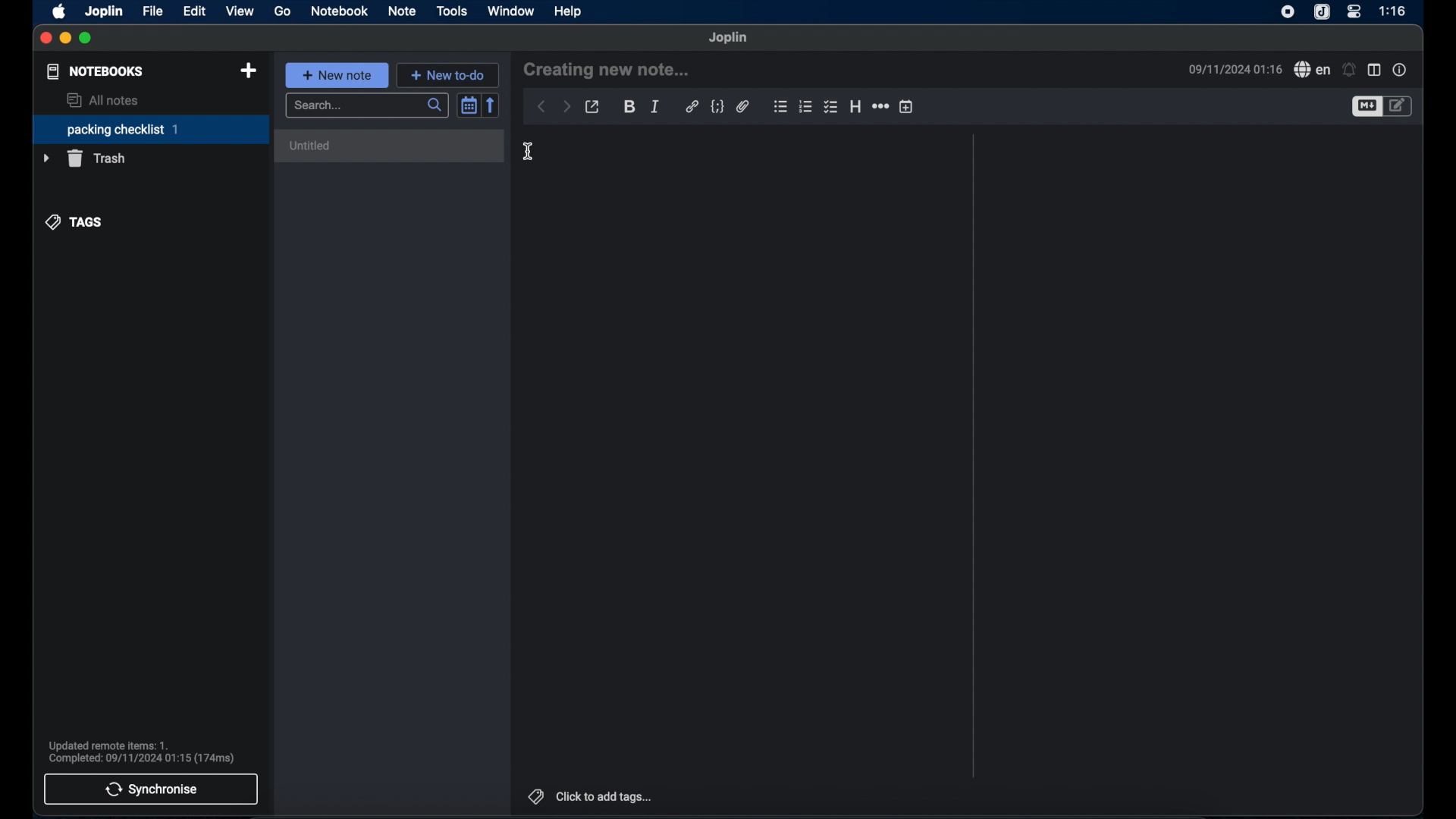 Image resolution: width=1456 pixels, height=819 pixels. I want to click on view, so click(240, 11).